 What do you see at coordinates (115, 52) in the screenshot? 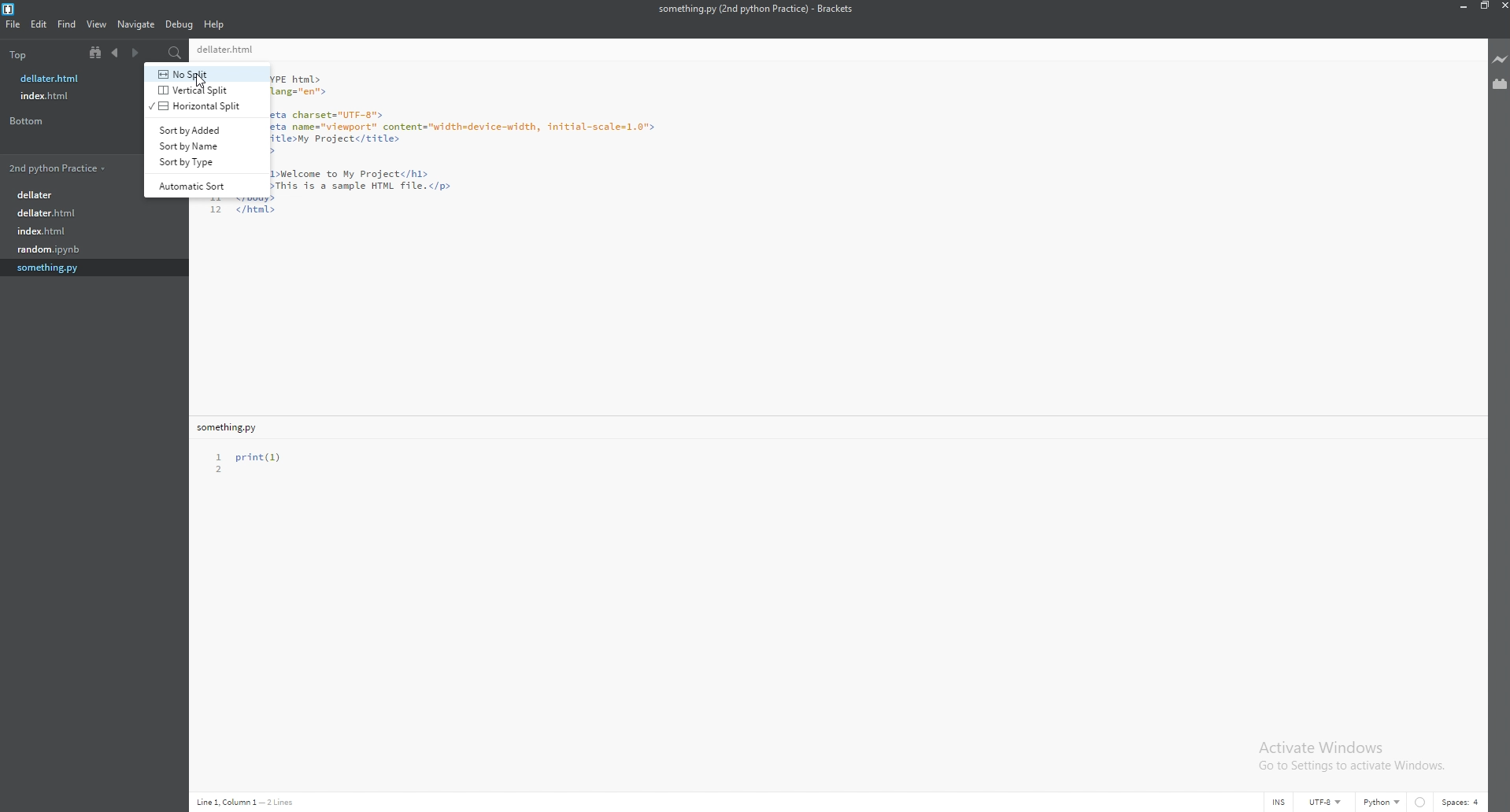
I see `previous` at bounding box center [115, 52].